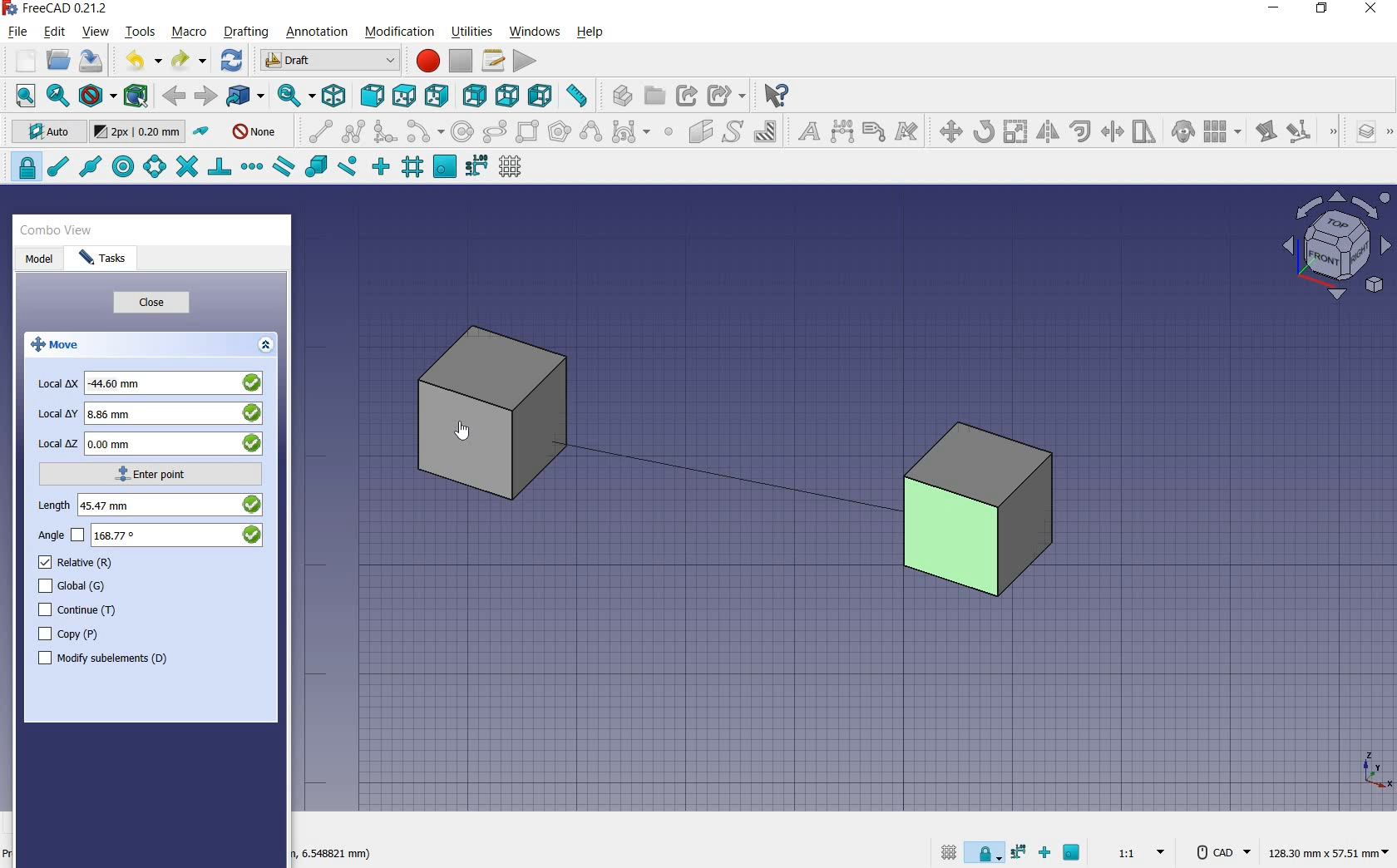 Image resolution: width=1397 pixels, height=868 pixels. Describe the element at coordinates (252, 167) in the screenshot. I see `snap extension` at that location.